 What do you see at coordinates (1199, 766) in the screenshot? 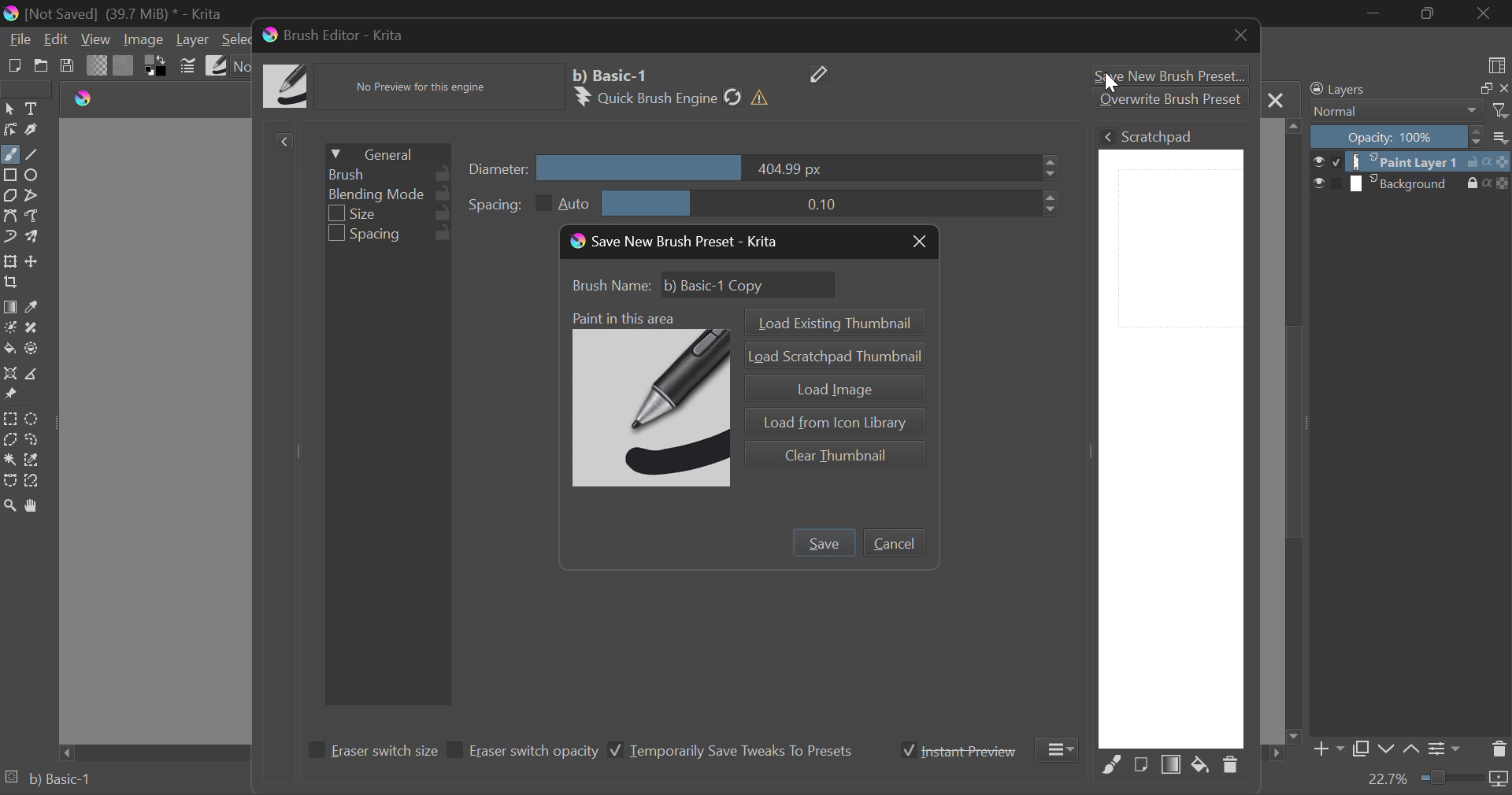
I see `Fill area with background color` at bounding box center [1199, 766].